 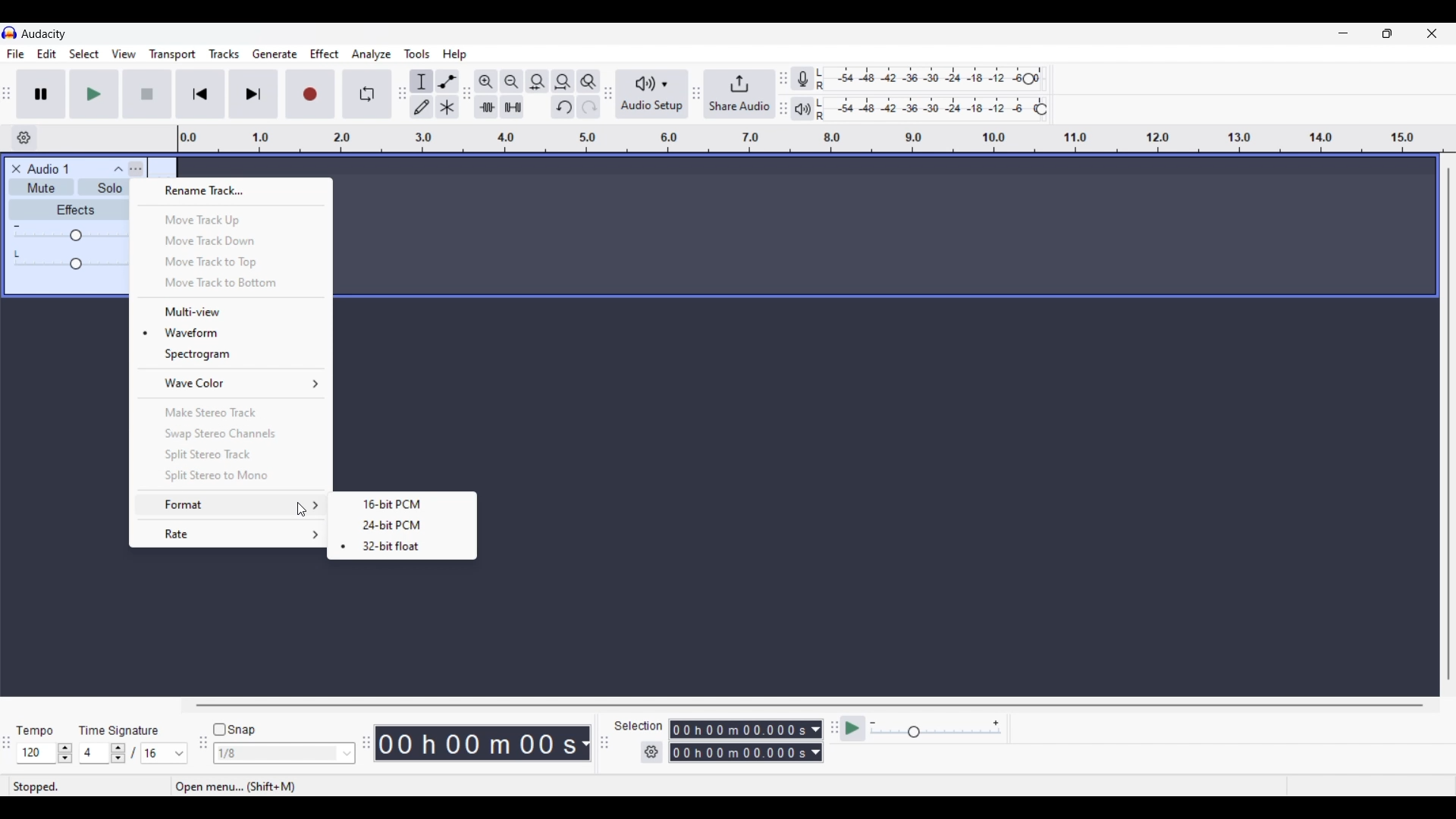 What do you see at coordinates (231, 191) in the screenshot?
I see `Rename track` at bounding box center [231, 191].